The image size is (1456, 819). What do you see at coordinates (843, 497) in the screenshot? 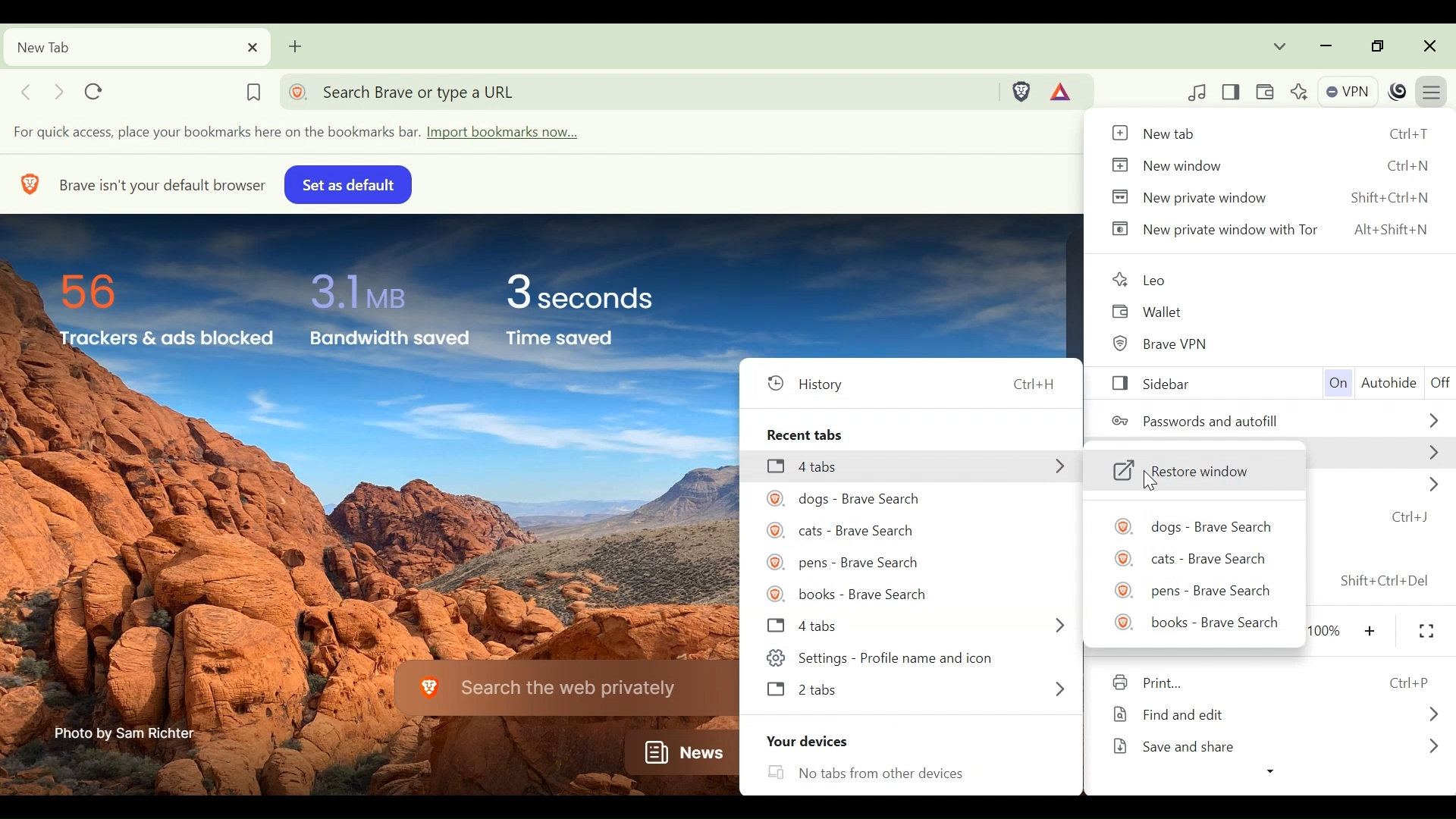
I see `AEC (©) dogs - Brave Search` at bounding box center [843, 497].